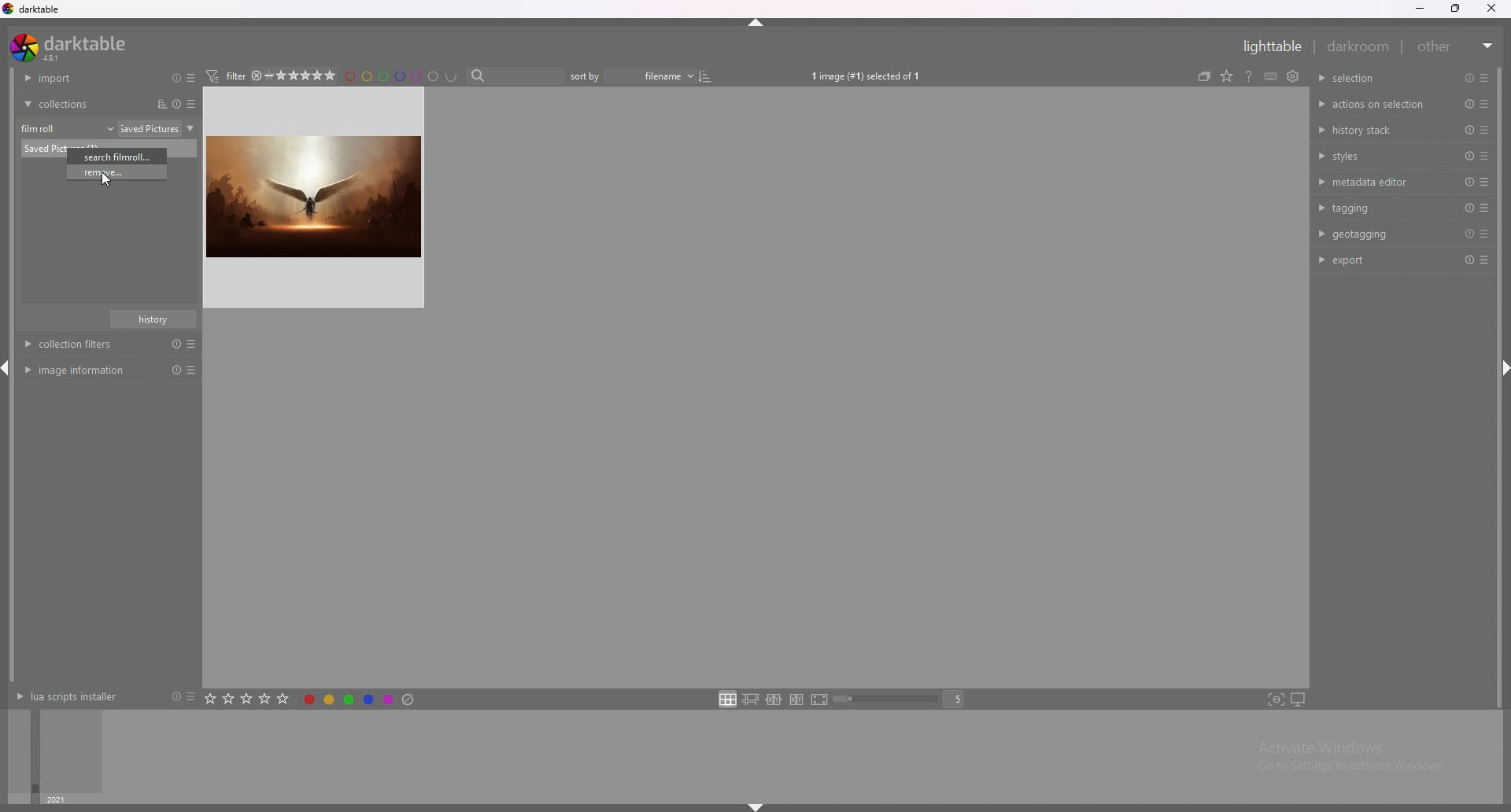 This screenshot has width=1511, height=812. Describe the element at coordinates (1469, 234) in the screenshot. I see `reset` at that location.